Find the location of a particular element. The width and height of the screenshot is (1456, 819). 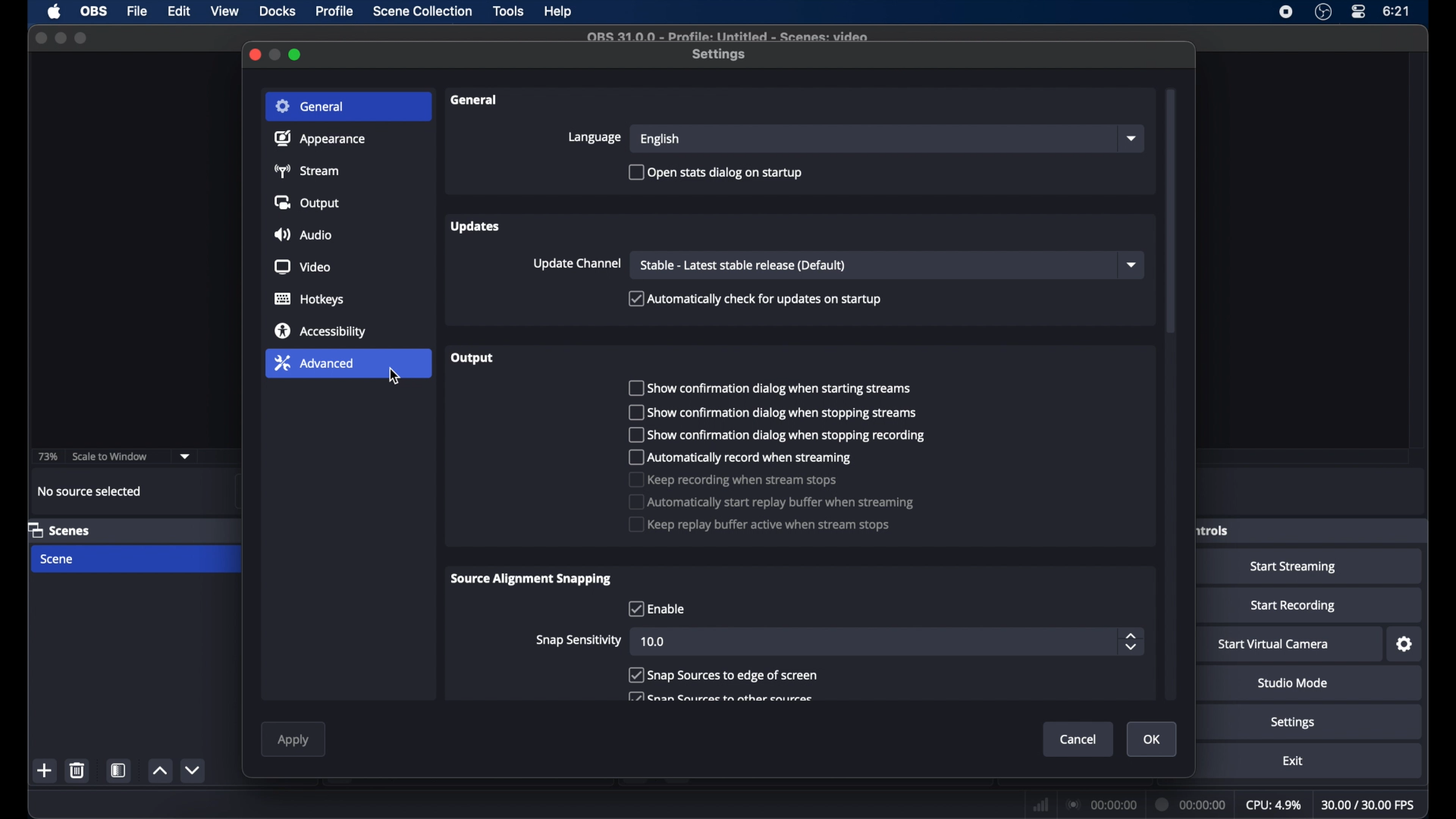

settings is located at coordinates (720, 55).